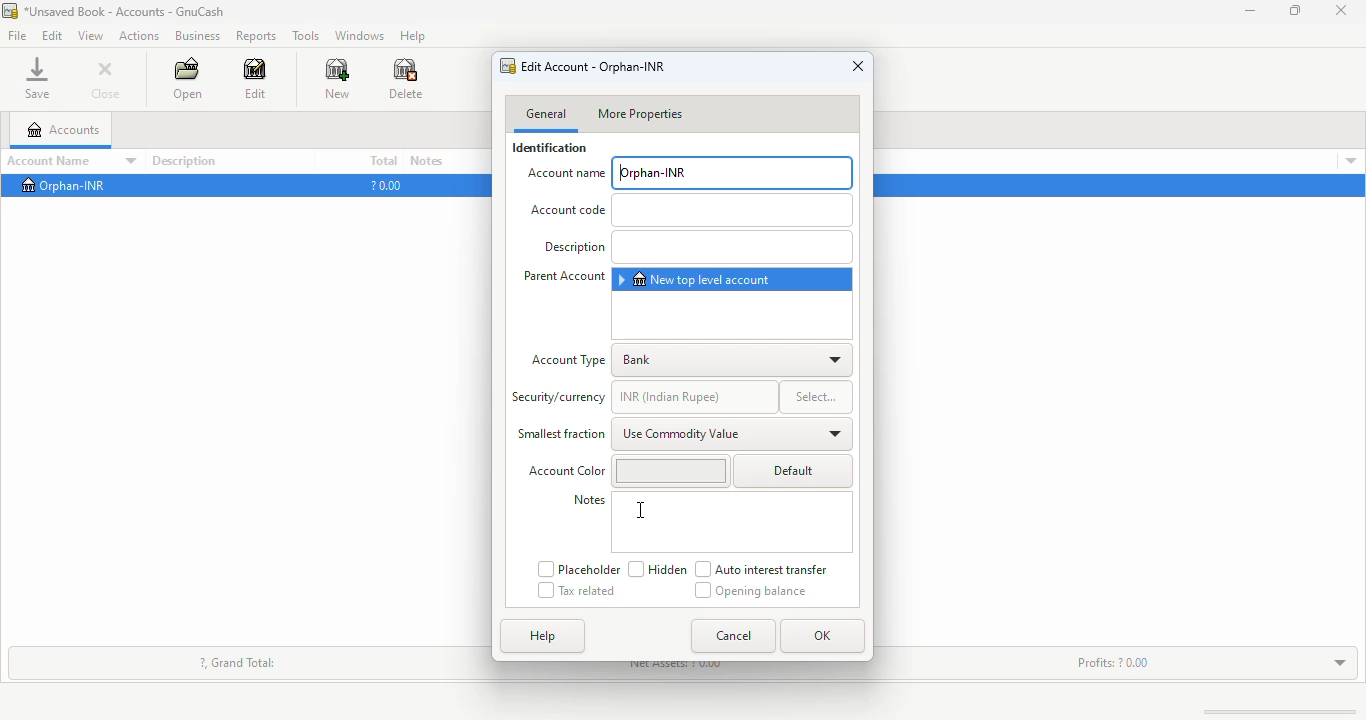  What do you see at coordinates (729, 211) in the screenshot?
I see `add Account code` at bounding box center [729, 211].